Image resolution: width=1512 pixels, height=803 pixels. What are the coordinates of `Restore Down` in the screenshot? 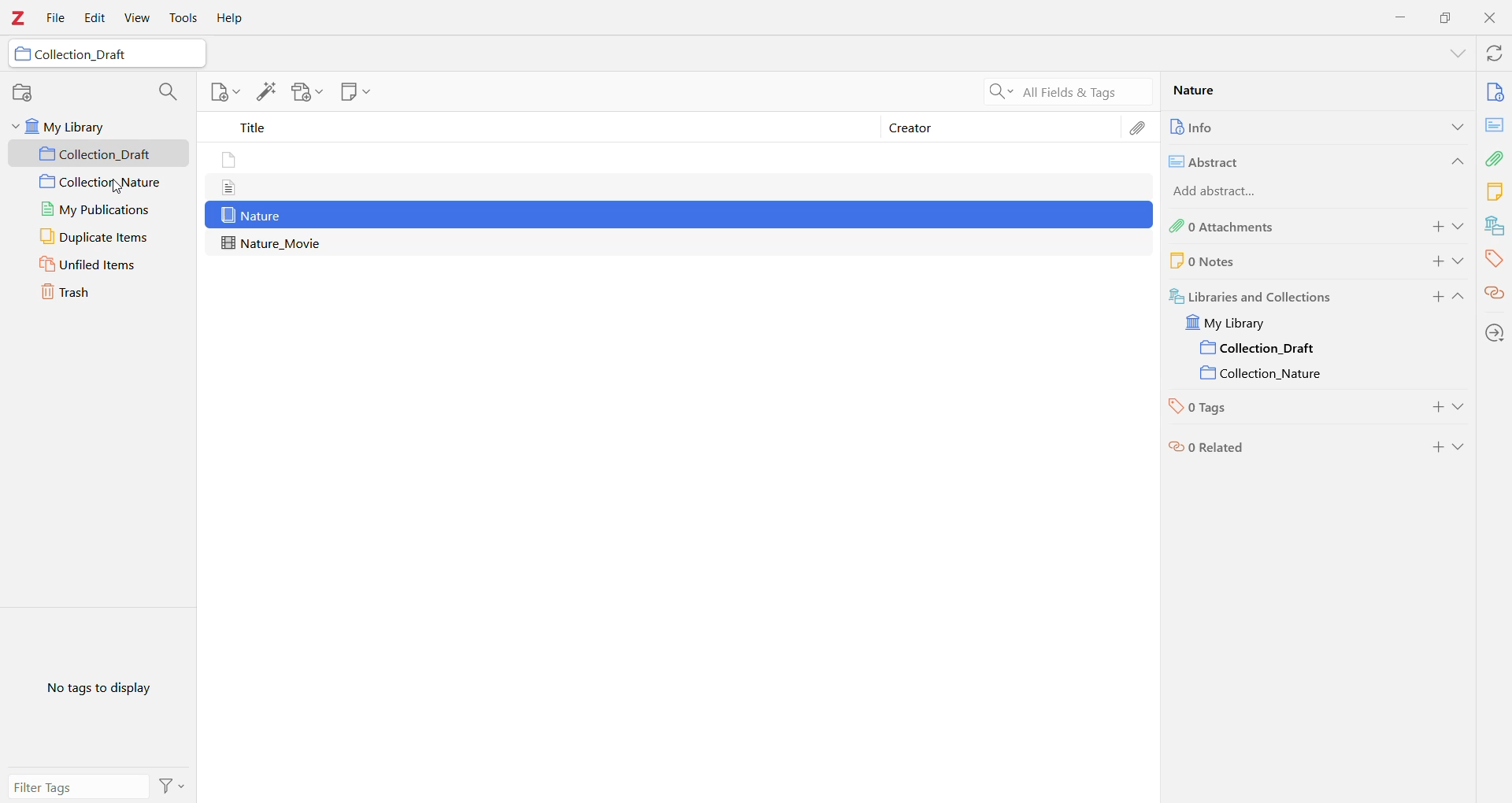 It's located at (1446, 17).